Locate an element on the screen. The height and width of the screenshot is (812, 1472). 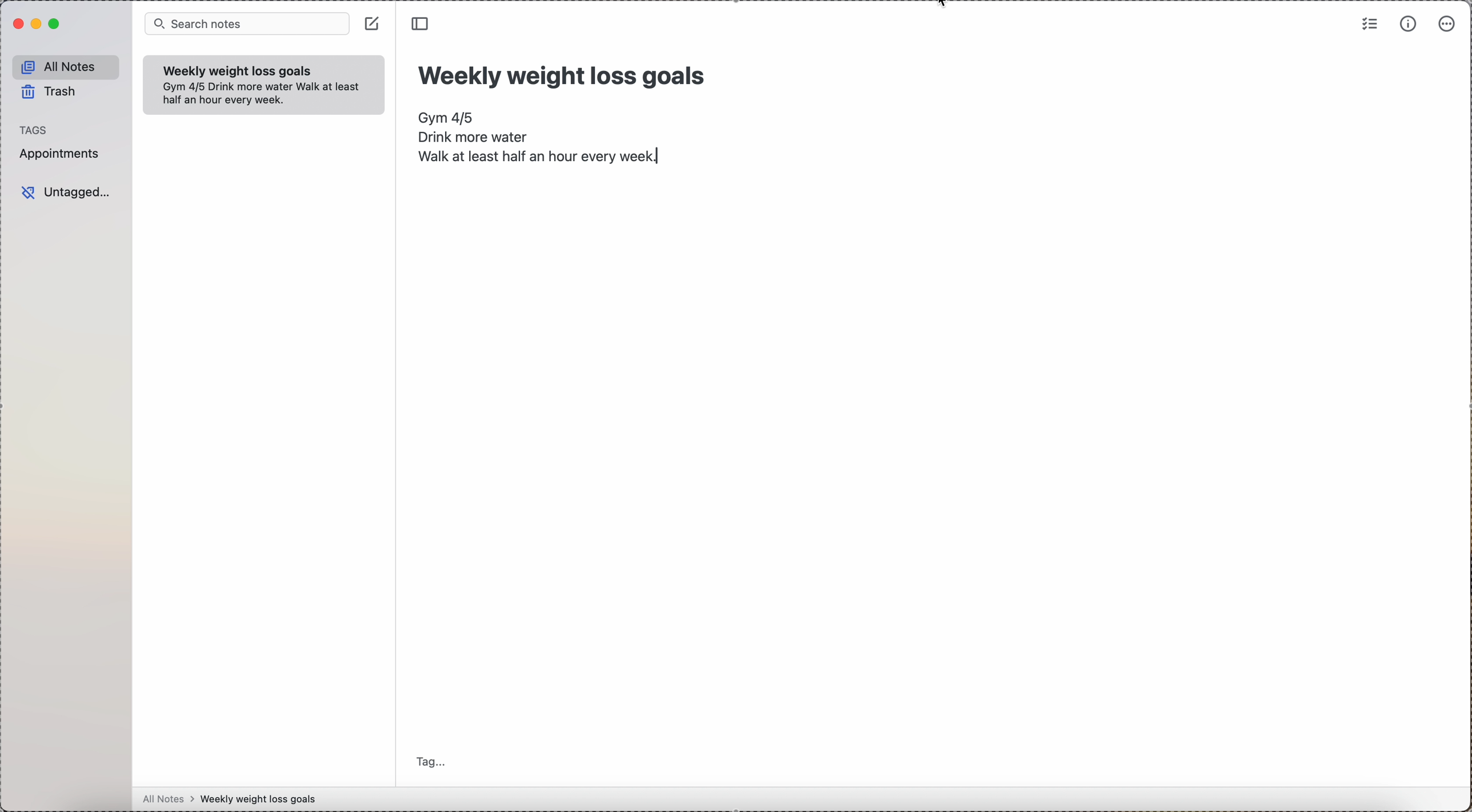
close Simplenote is located at coordinates (18, 23).